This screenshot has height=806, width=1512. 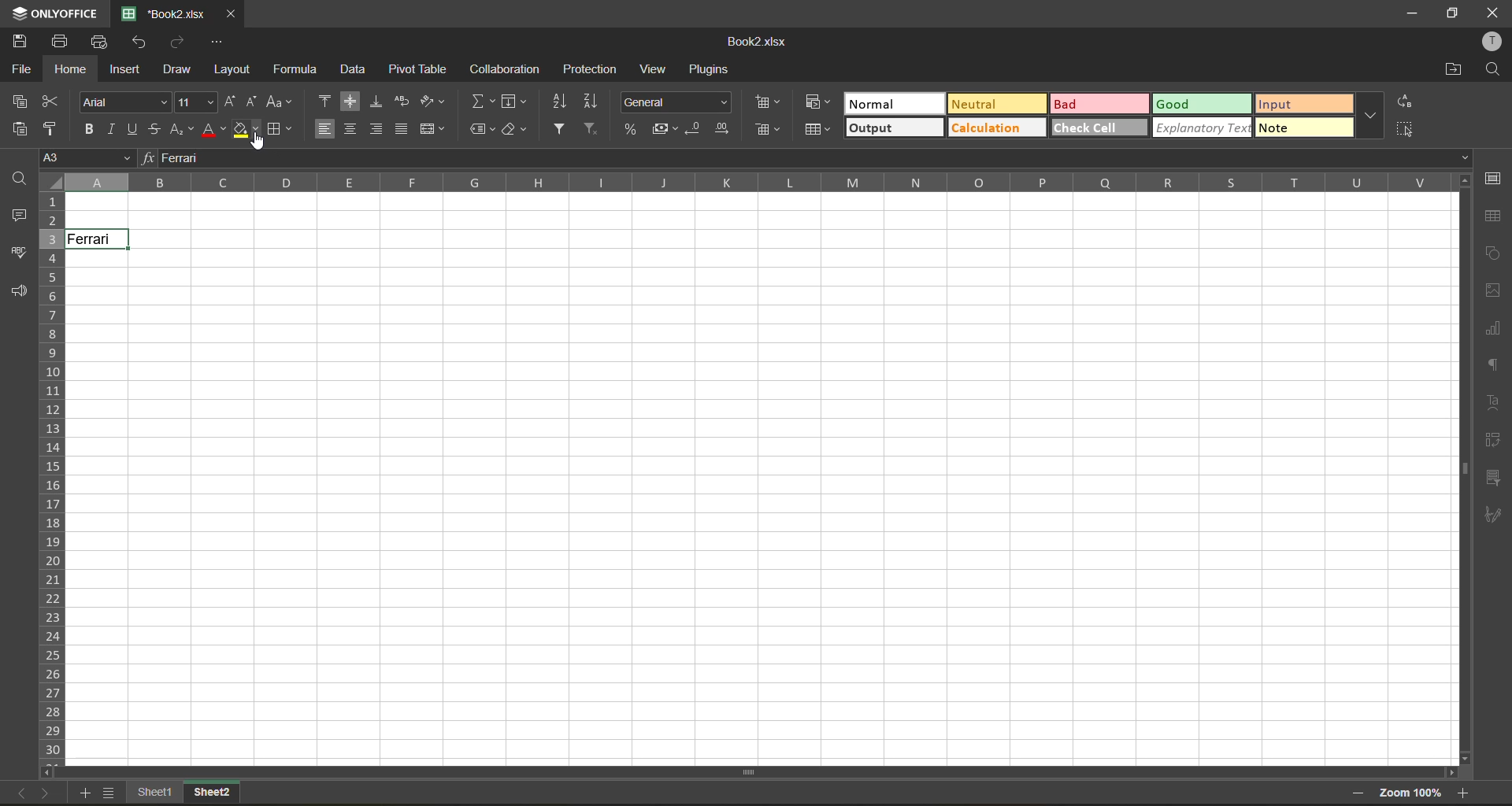 What do you see at coordinates (770, 104) in the screenshot?
I see `conditional formatting` at bounding box center [770, 104].